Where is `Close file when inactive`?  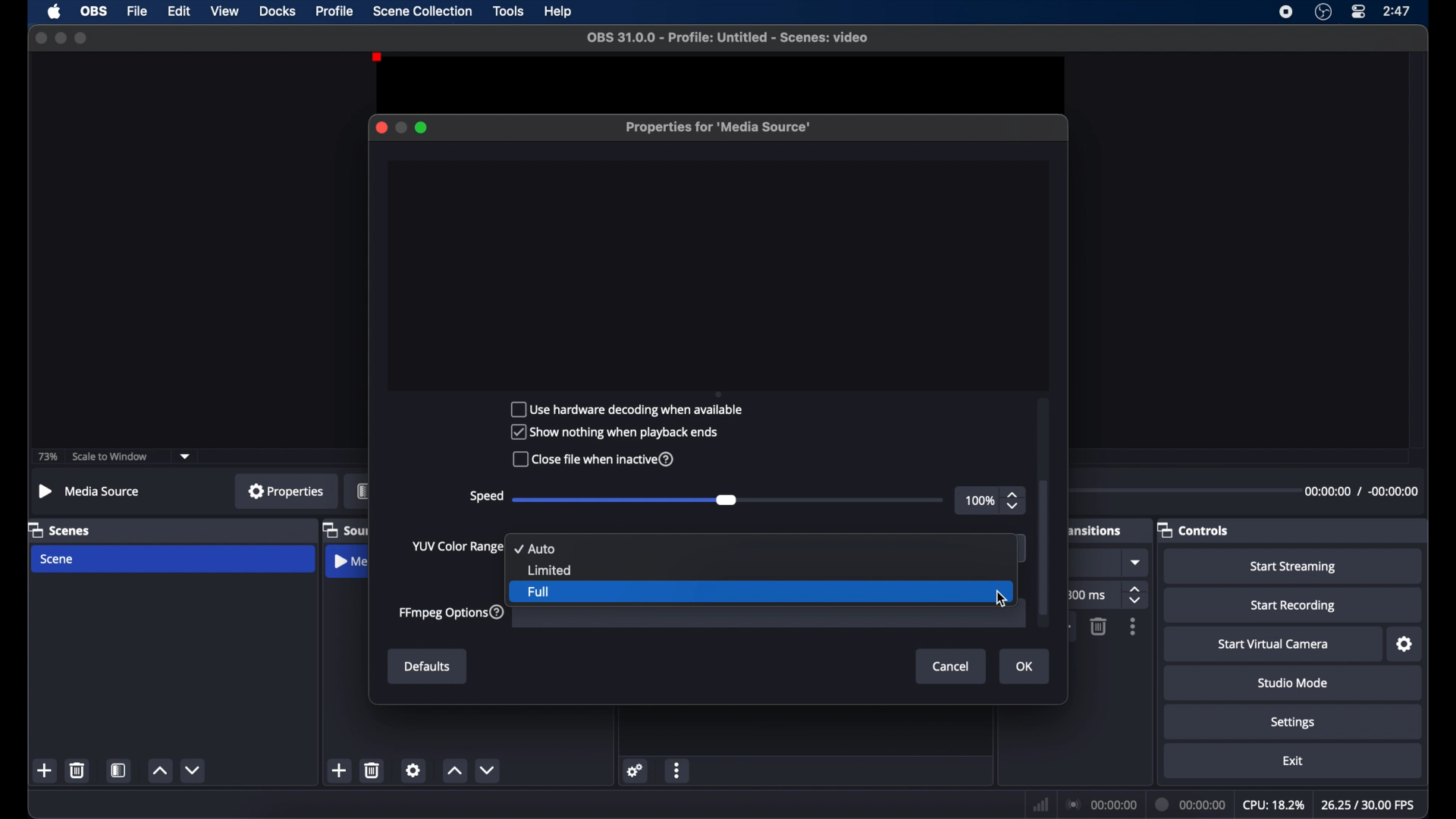 Close file when inactive is located at coordinates (601, 460).